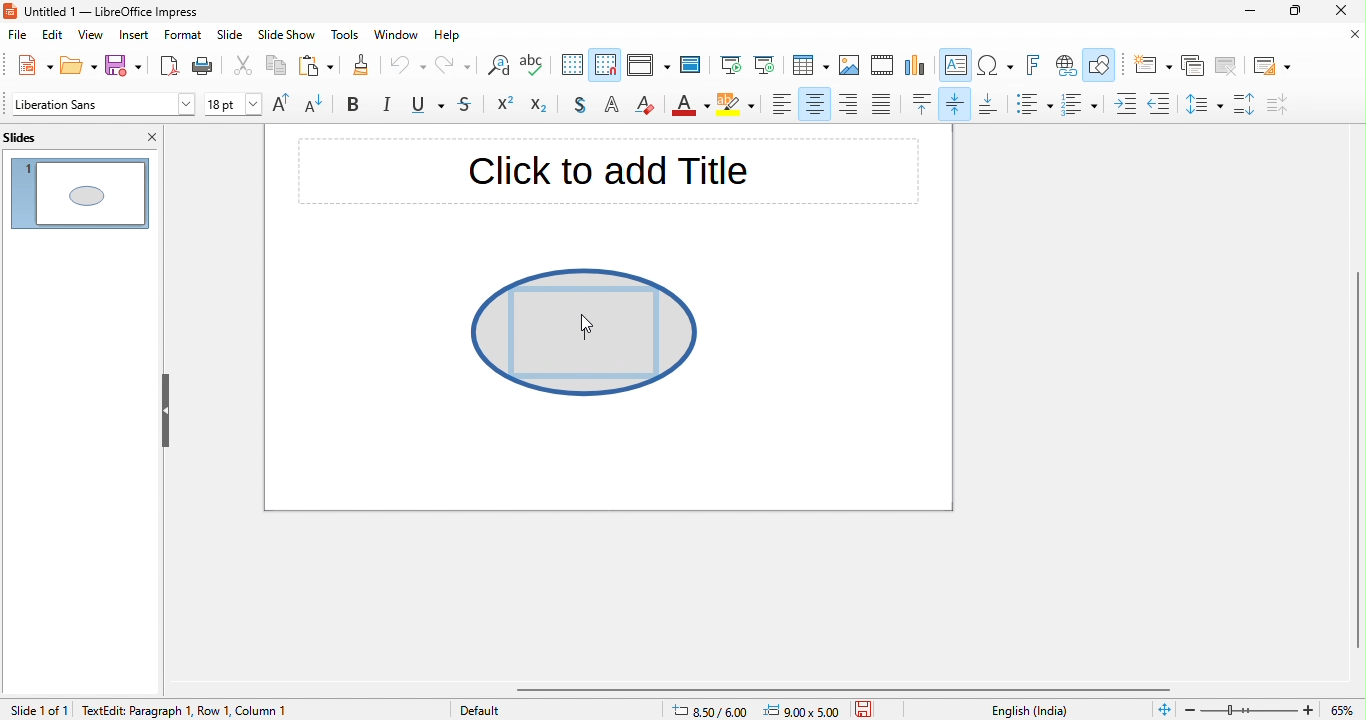  I want to click on apply outline attribute to font, so click(611, 107).